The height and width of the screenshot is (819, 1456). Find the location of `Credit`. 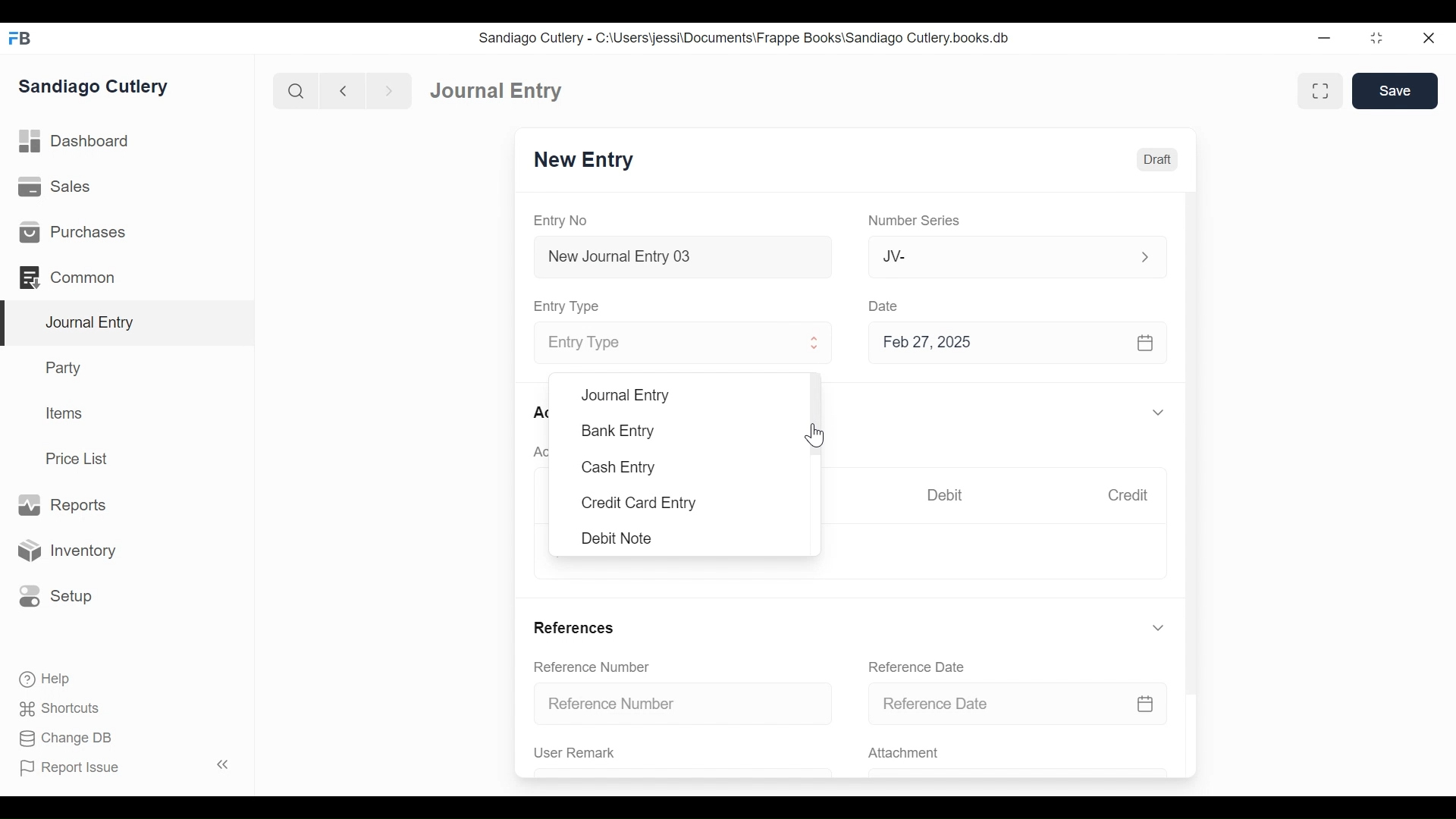

Credit is located at coordinates (1130, 495).